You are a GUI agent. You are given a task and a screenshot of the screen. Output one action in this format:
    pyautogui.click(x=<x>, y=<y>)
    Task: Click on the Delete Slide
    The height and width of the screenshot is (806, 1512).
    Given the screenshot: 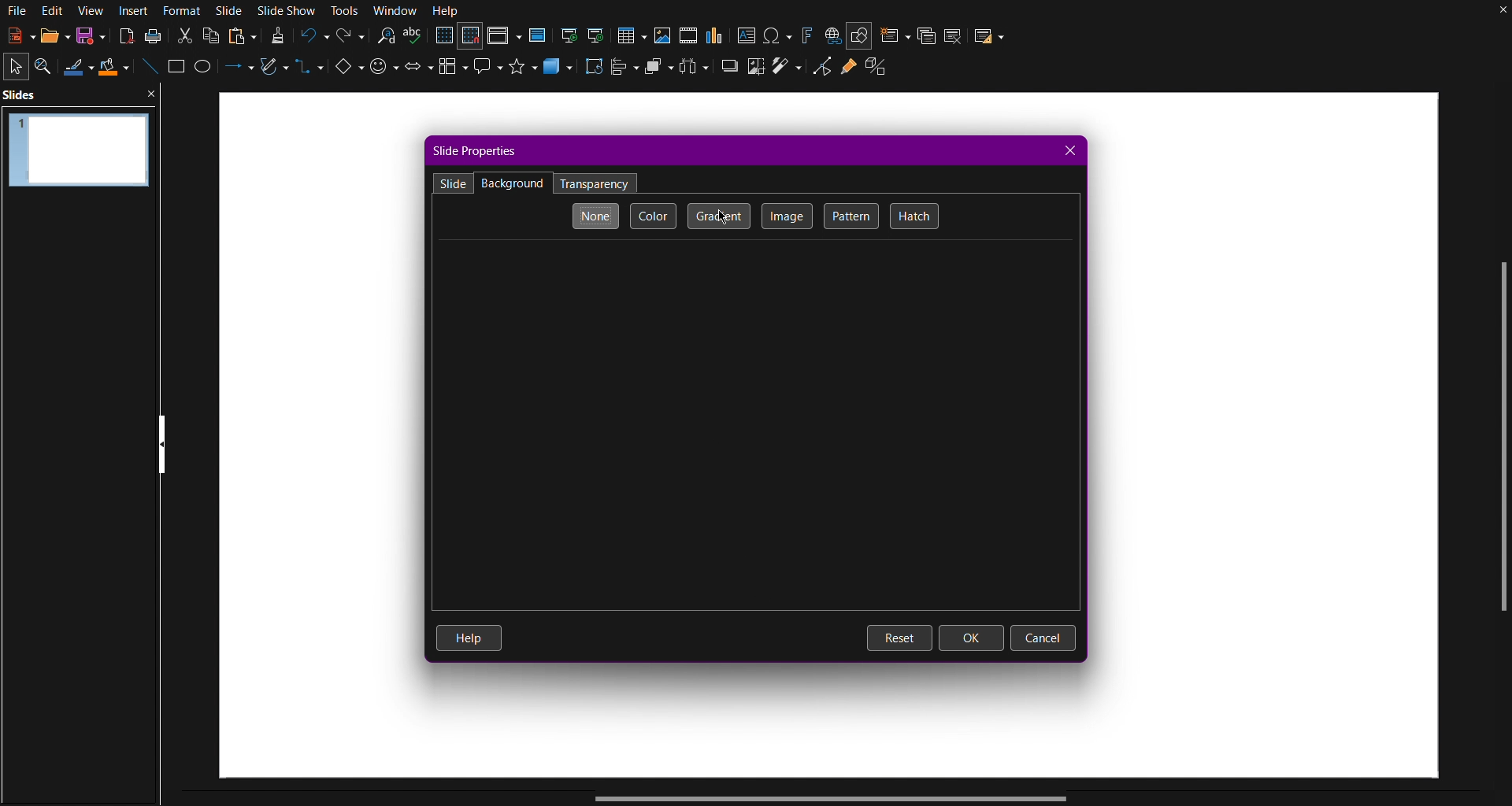 What is the action you would take?
    pyautogui.click(x=955, y=34)
    